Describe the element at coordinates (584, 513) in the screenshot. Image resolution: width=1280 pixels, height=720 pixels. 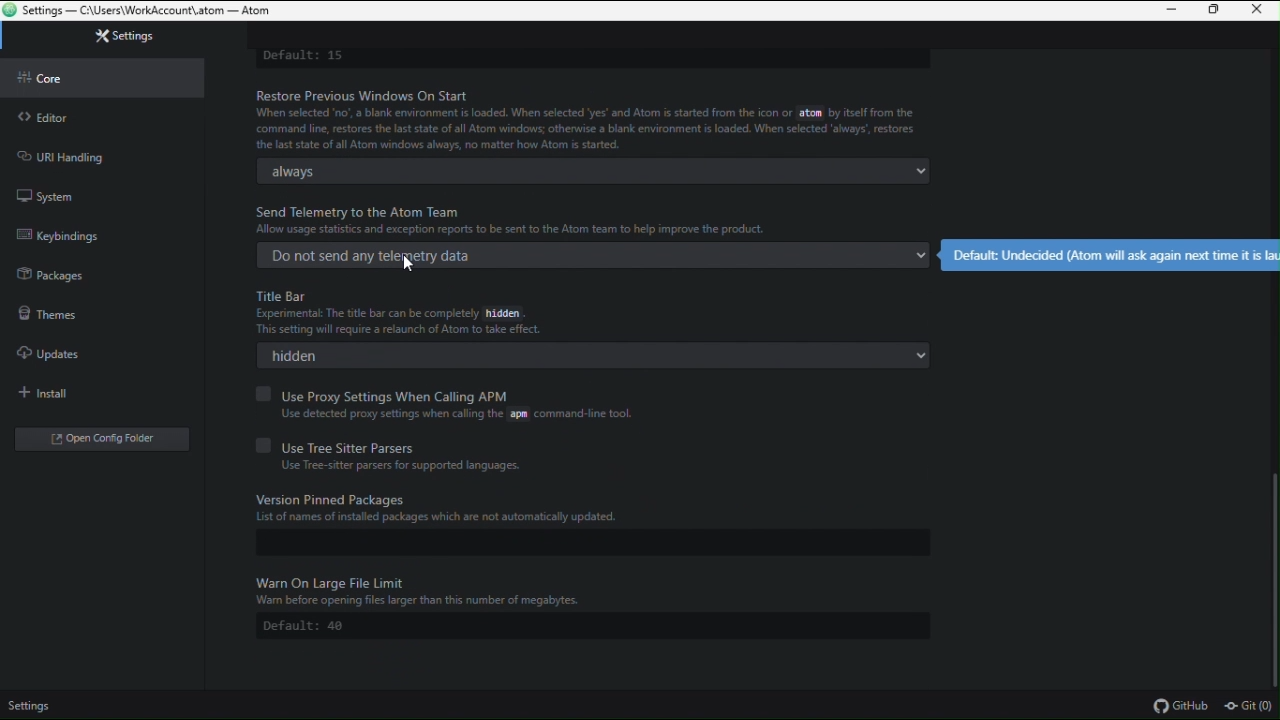
I see `Version Pinned Packages List of names of installed packages which are not automatically updated.` at that location.